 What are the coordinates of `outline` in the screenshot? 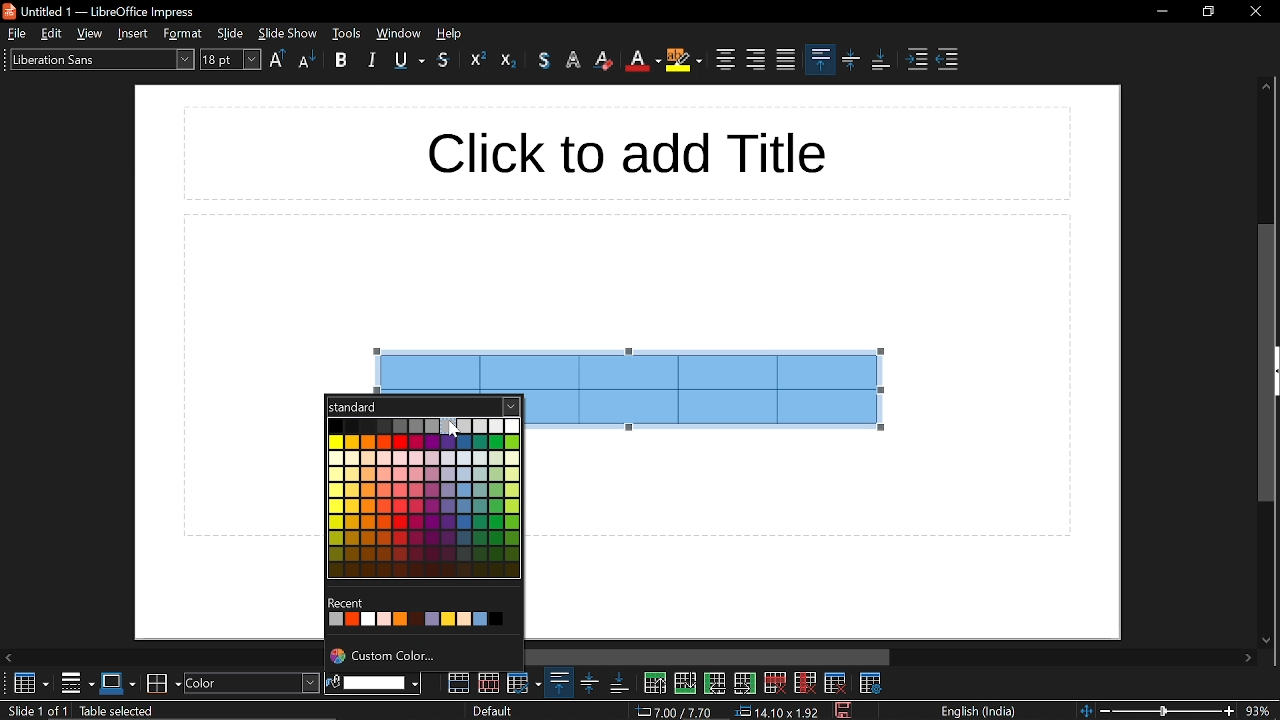 It's located at (478, 59).